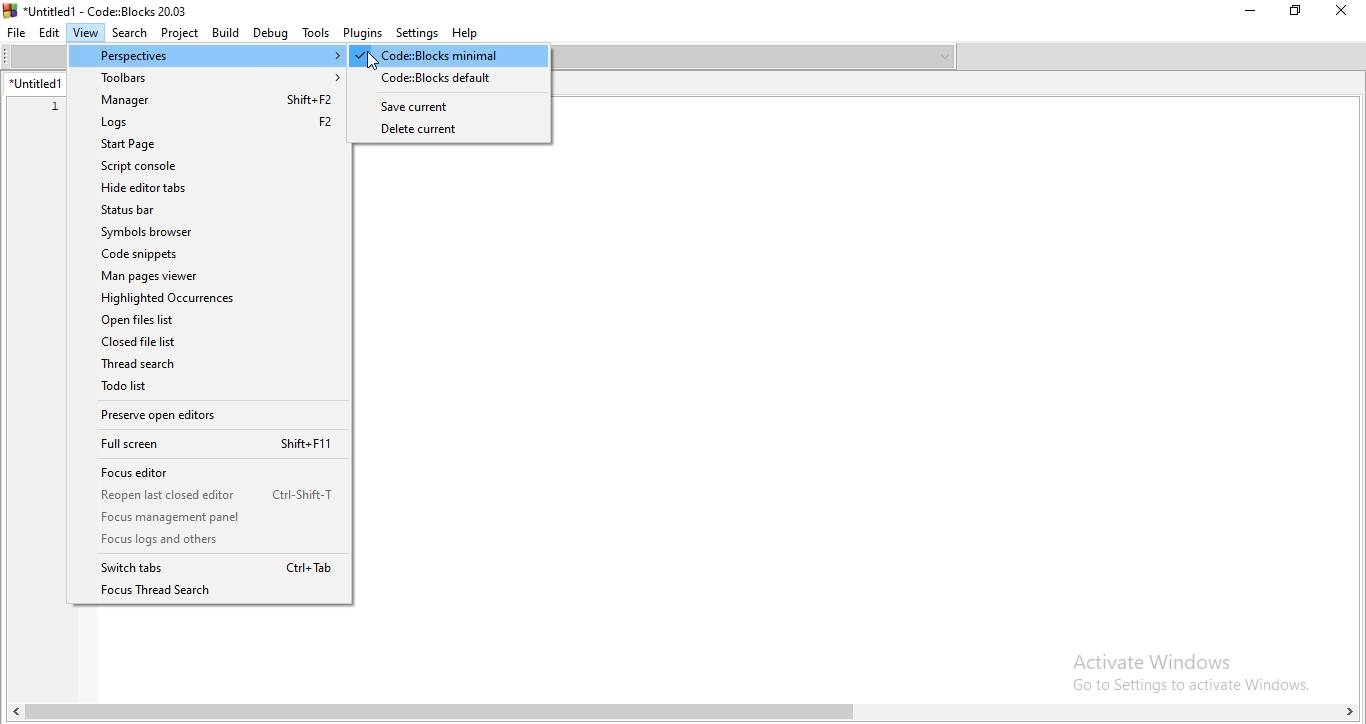 The width and height of the screenshot is (1366, 724). What do you see at coordinates (36, 106) in the screenshot?
I see `serial number ; 1` at bounding box center [36, 106].